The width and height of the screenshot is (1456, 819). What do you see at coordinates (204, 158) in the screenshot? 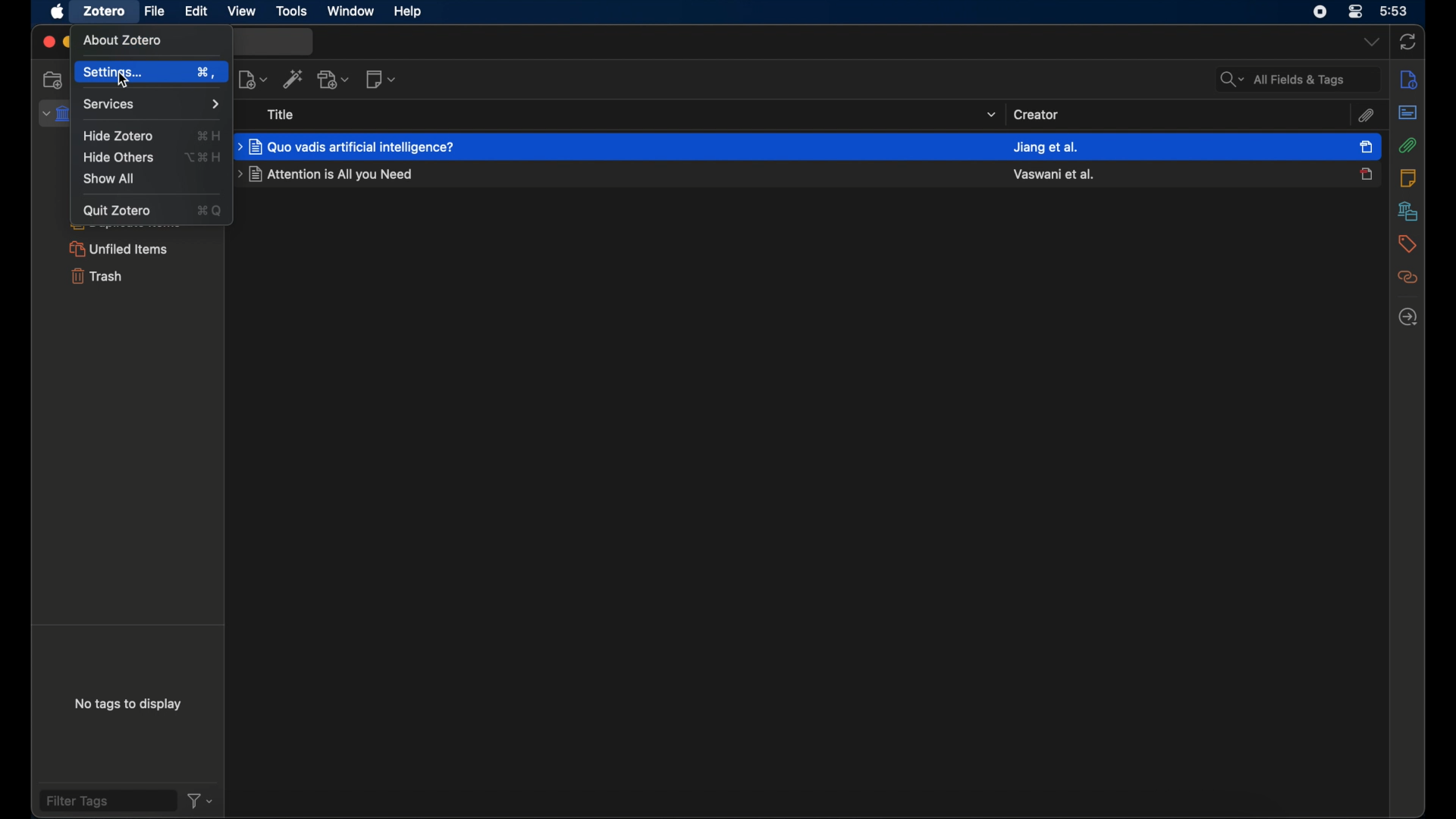
I see `hide others shortcut` at bounding box center [204, 158].